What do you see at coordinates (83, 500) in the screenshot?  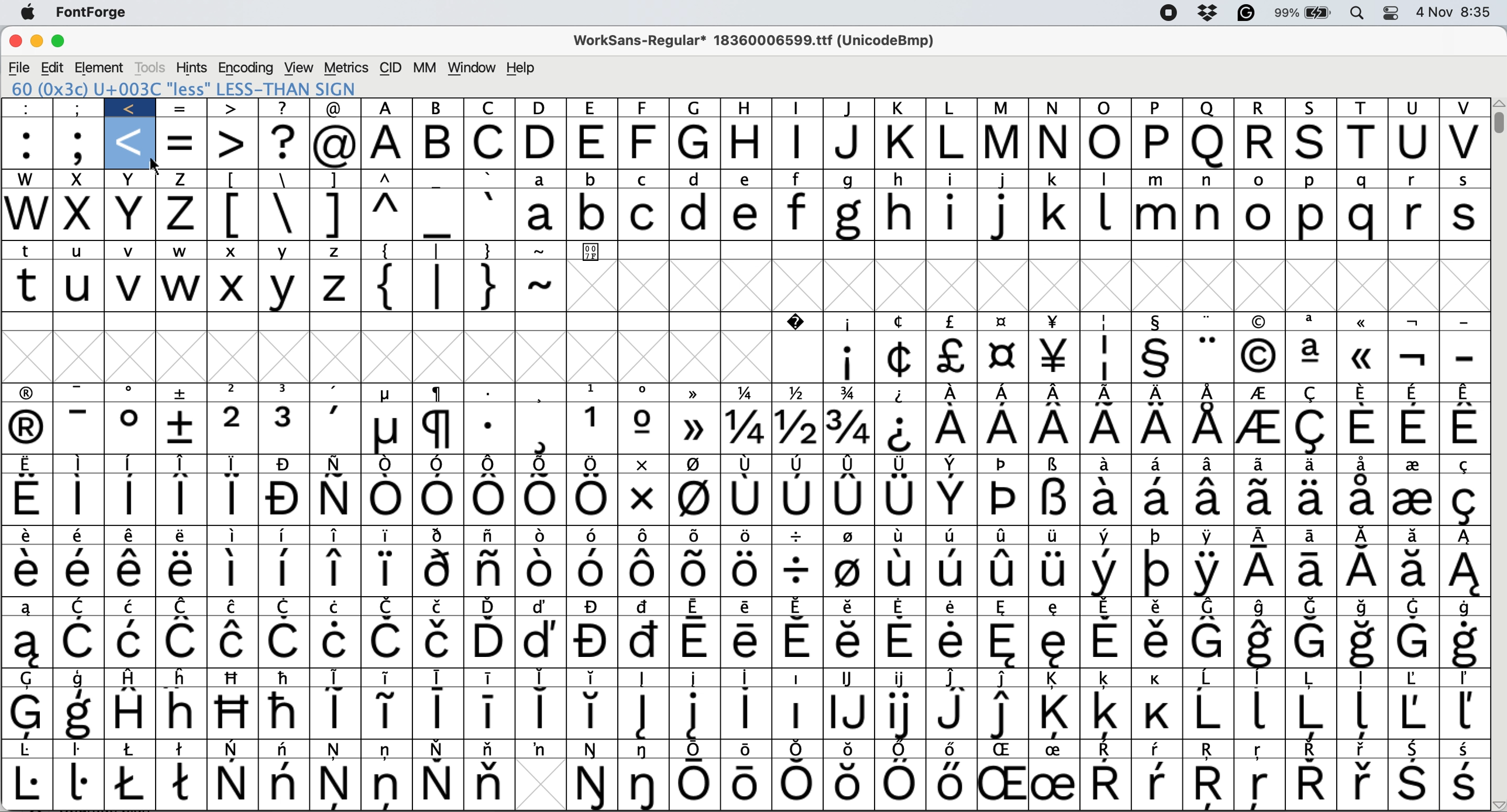 I see `Symbol` at bounding box center [83, 500].